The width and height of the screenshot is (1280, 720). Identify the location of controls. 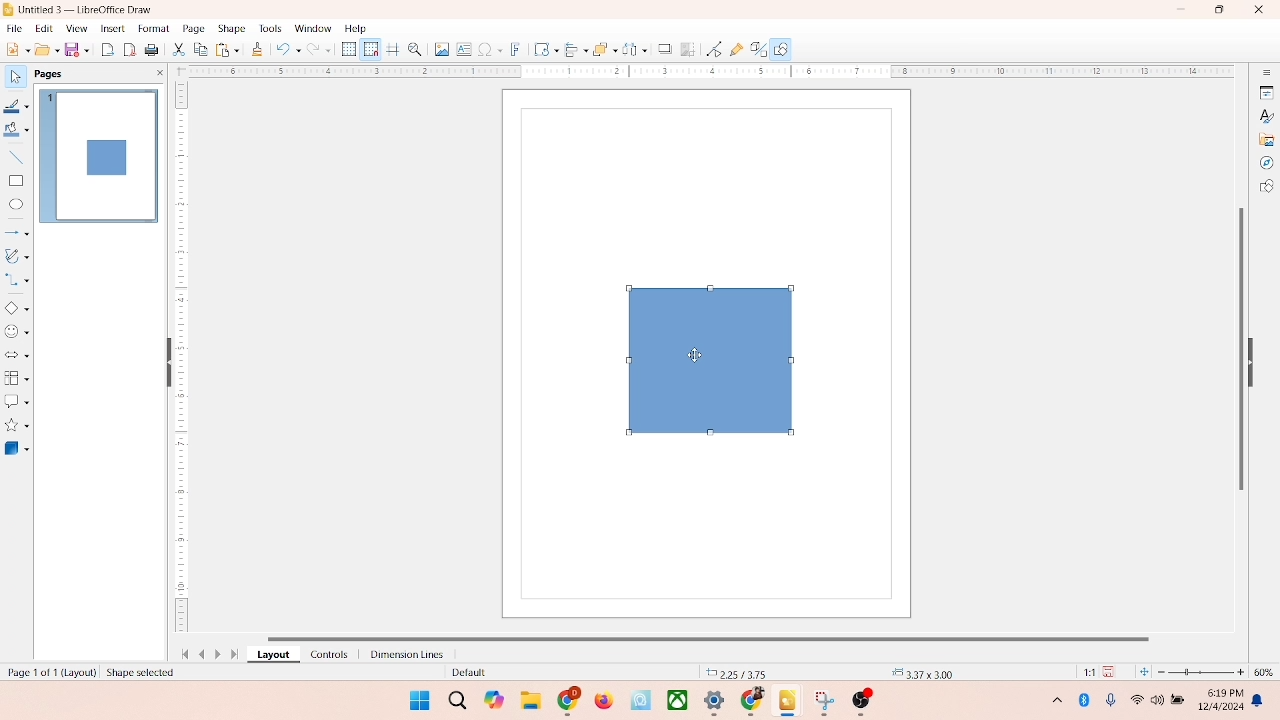
(324, 654).